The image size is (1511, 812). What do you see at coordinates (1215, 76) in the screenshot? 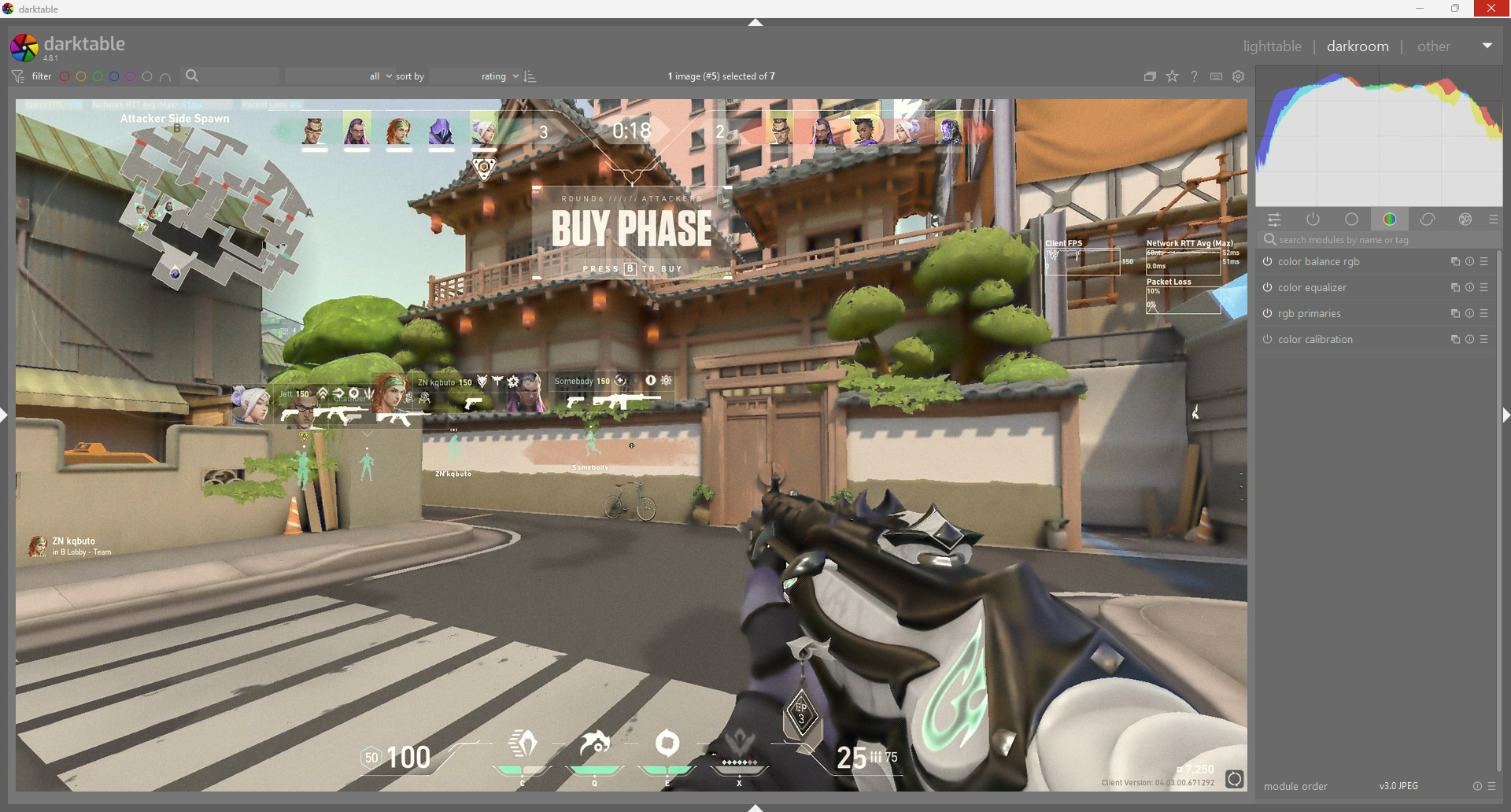
I see `keyboars shortcut` at bounding box center [1215, 76].